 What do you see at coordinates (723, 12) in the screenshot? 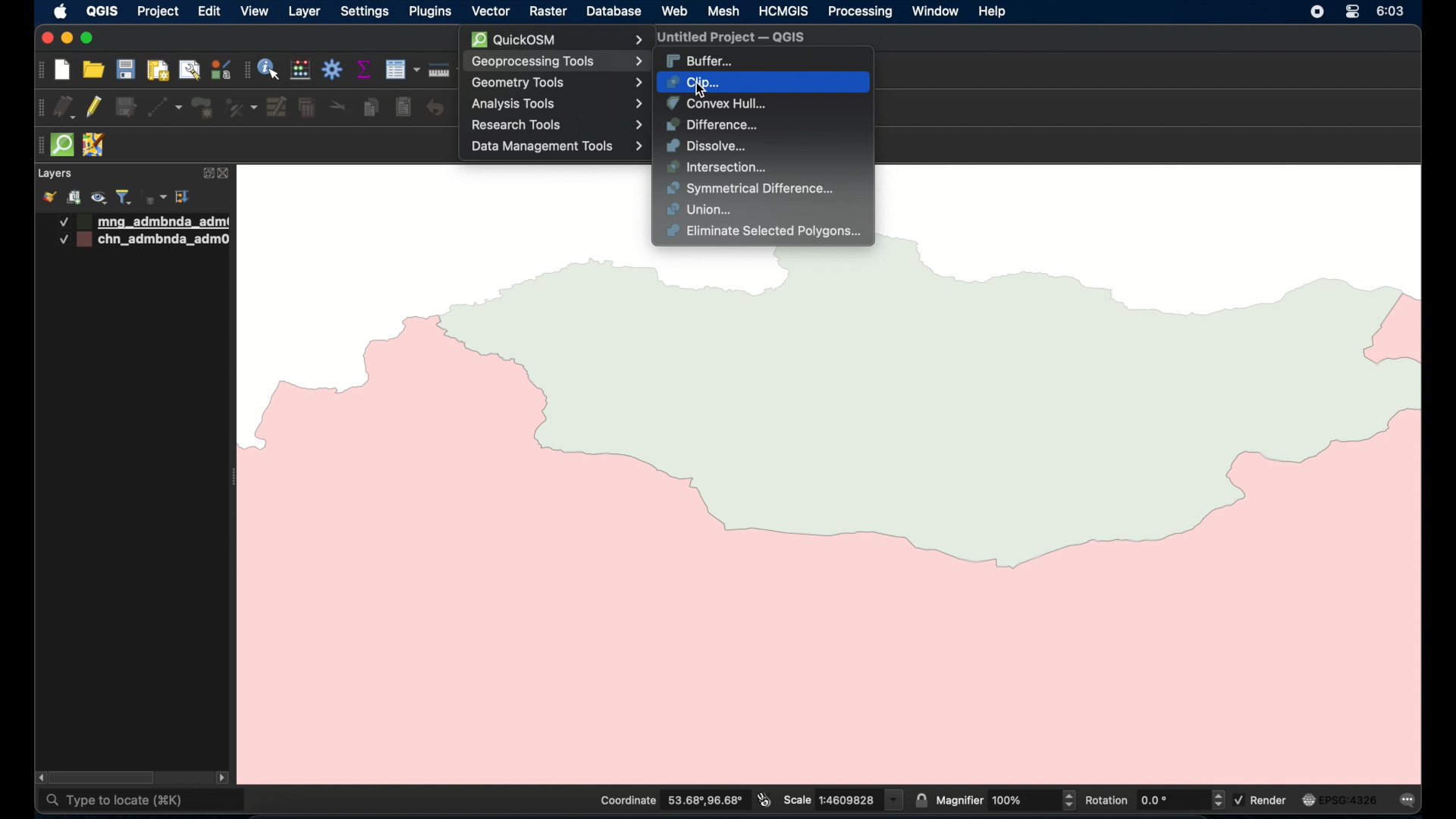
I see `mesh` at bounding box center [723, 12].